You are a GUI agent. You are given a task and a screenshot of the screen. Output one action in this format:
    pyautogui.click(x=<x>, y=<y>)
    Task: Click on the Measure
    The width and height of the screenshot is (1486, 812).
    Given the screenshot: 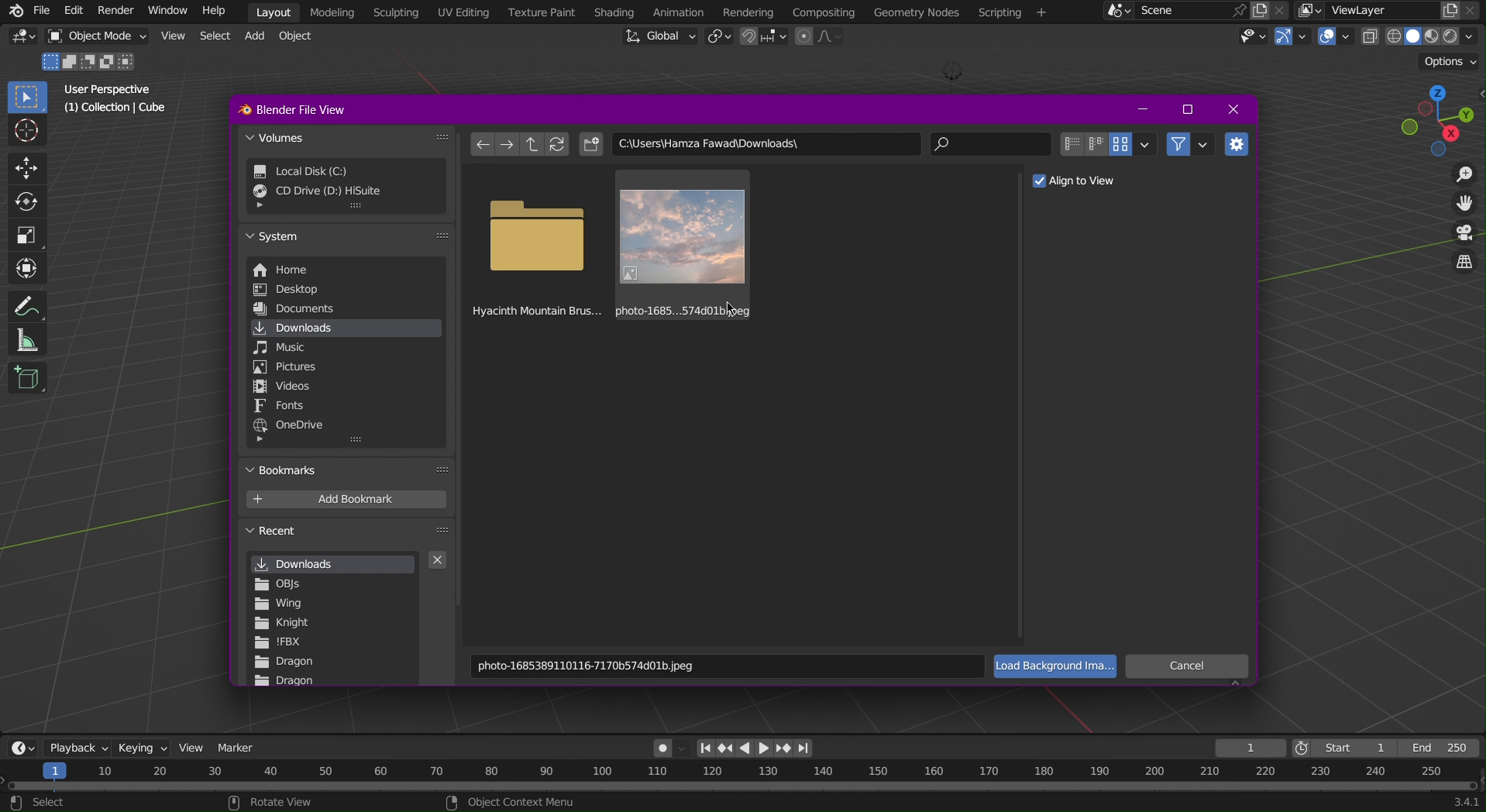 What is the action you would take?
    pyautogui.click(x=25, y=341)
    